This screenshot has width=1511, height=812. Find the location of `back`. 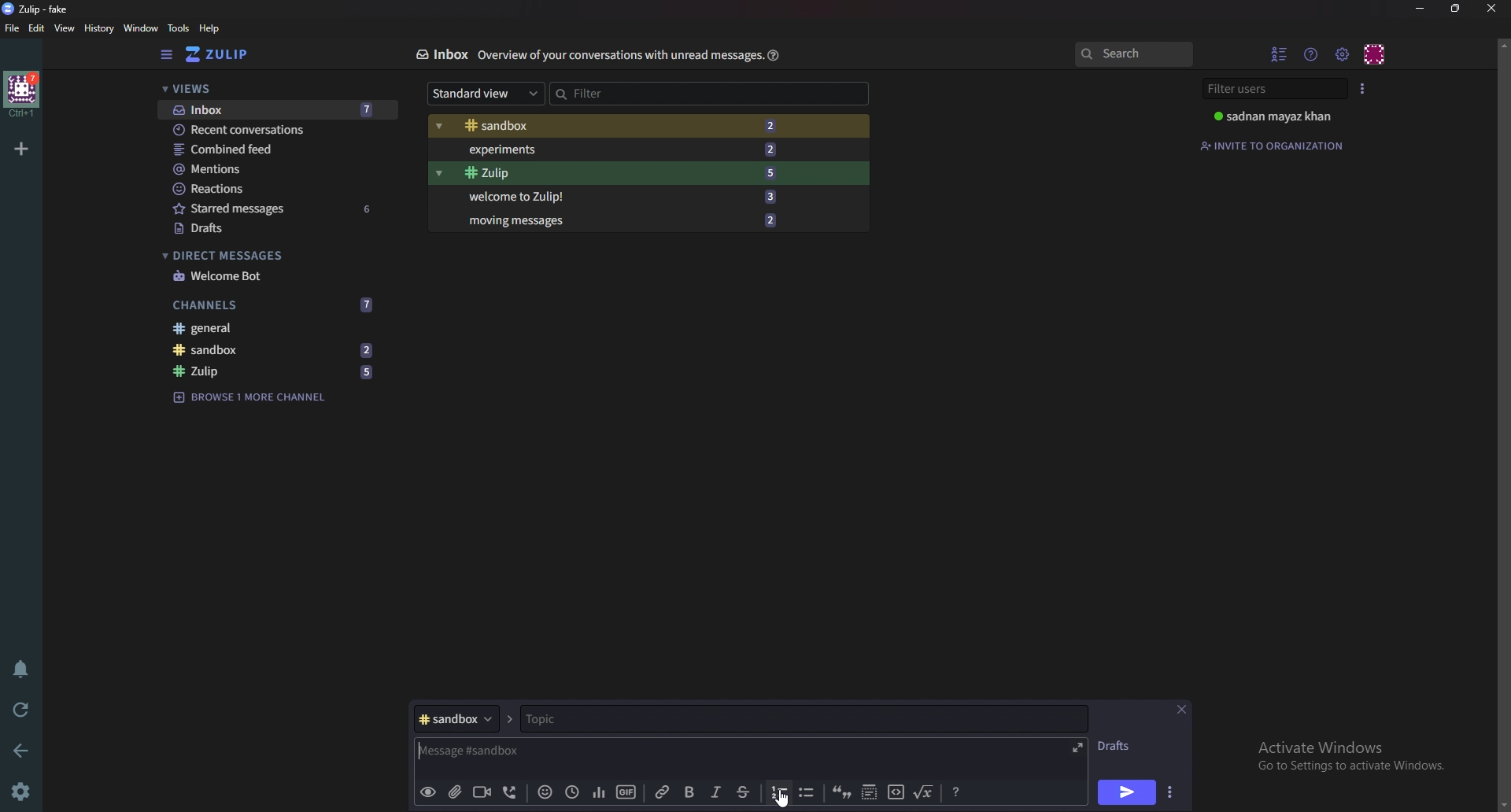

back is located at coordinates (24, 748).